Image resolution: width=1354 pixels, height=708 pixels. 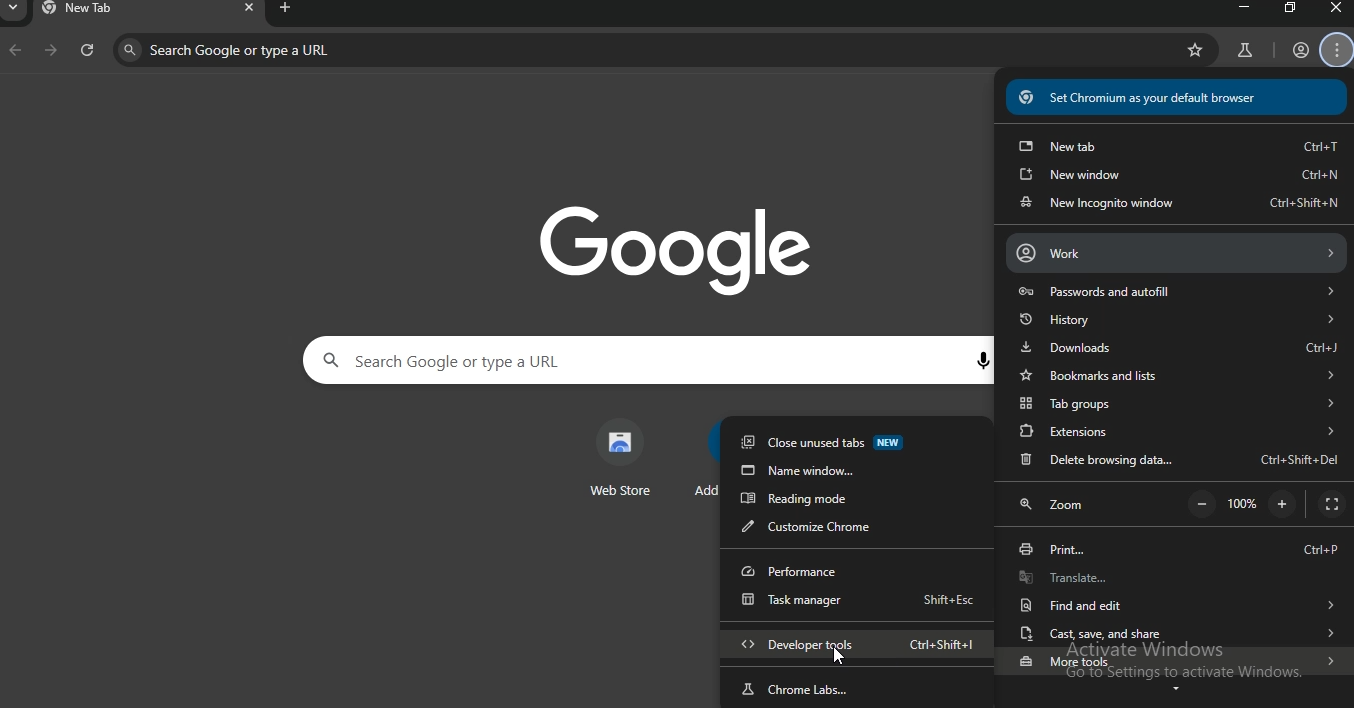 I want to click on reading mode, so click(x=851, y=501).